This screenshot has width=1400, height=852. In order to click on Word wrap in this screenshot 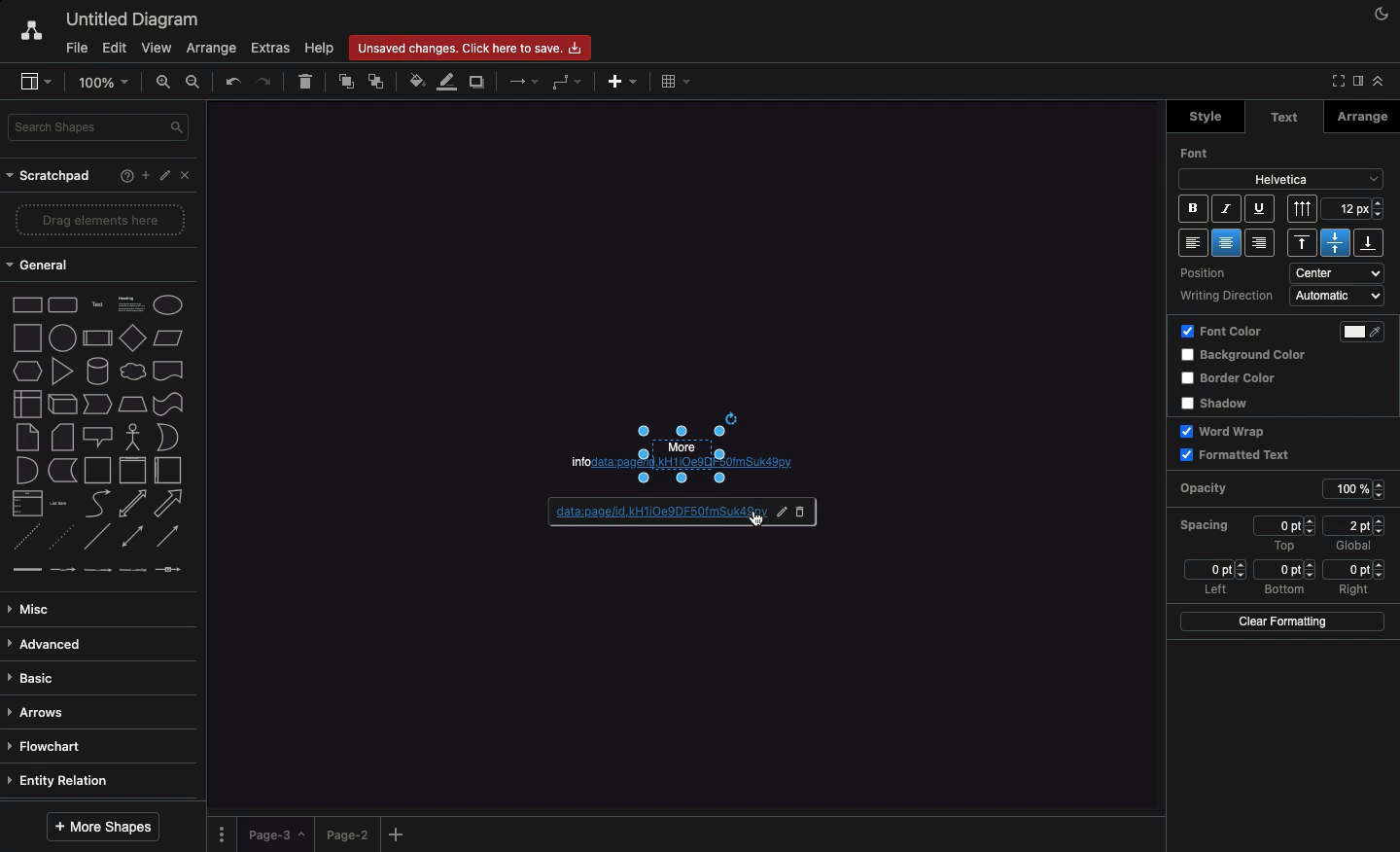, I will do `click(1227, 431)`.